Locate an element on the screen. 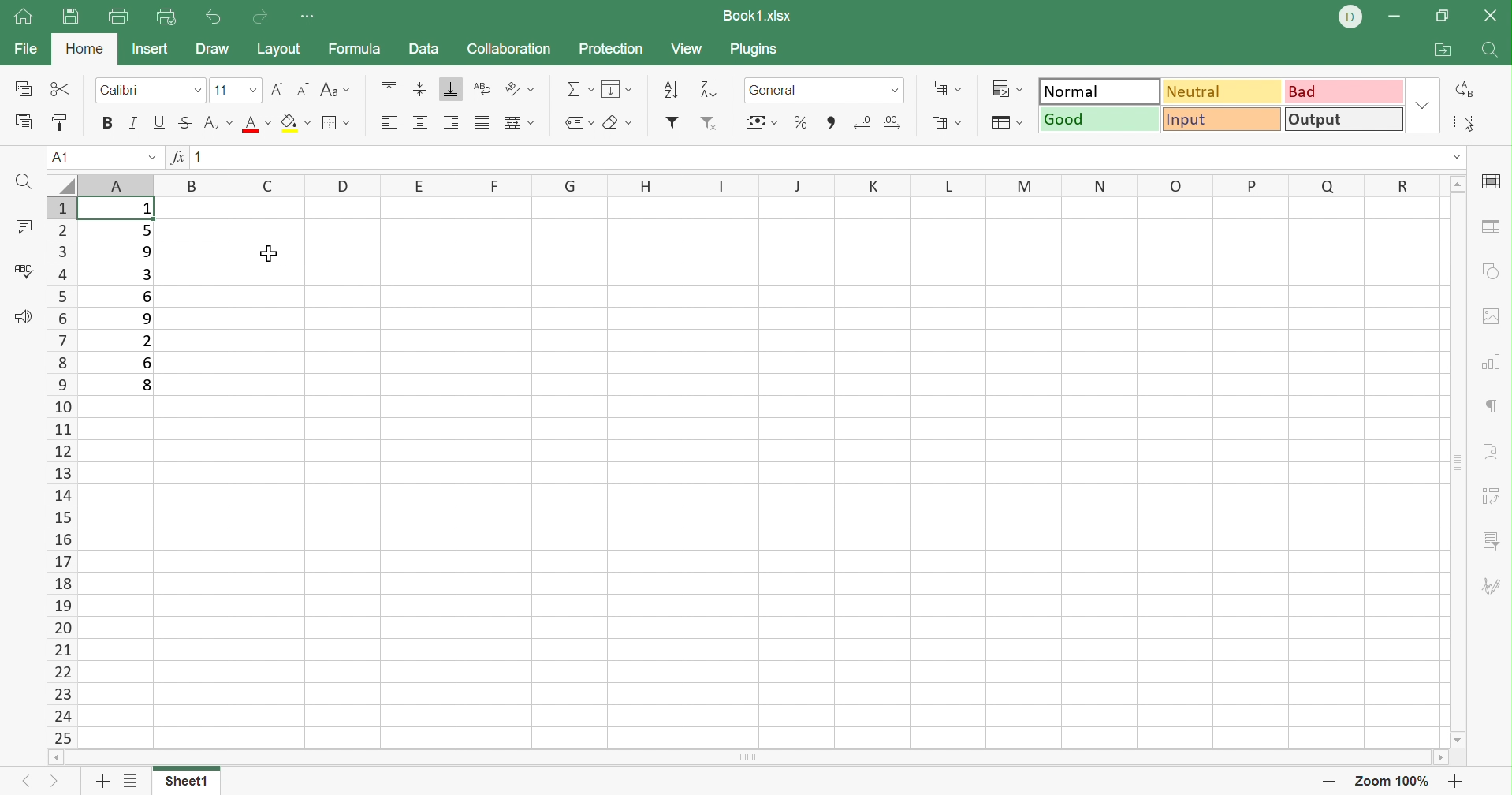 This screenshot has width=1512, height=795. Signature settings is located at coordinates (1494, 585).